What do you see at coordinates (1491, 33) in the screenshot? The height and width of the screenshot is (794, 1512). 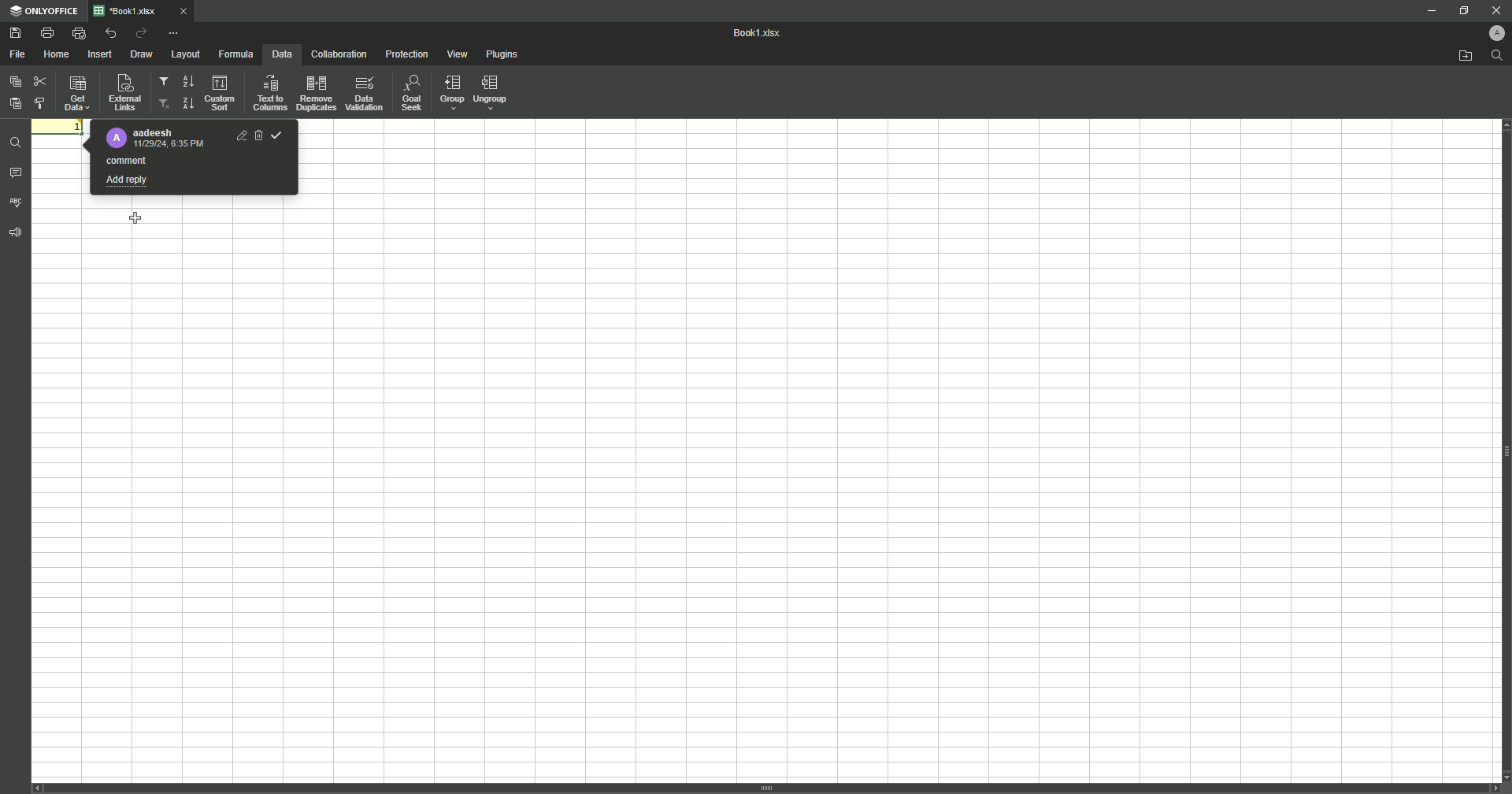 I see `Profile` at bounding box center [1491, 33].